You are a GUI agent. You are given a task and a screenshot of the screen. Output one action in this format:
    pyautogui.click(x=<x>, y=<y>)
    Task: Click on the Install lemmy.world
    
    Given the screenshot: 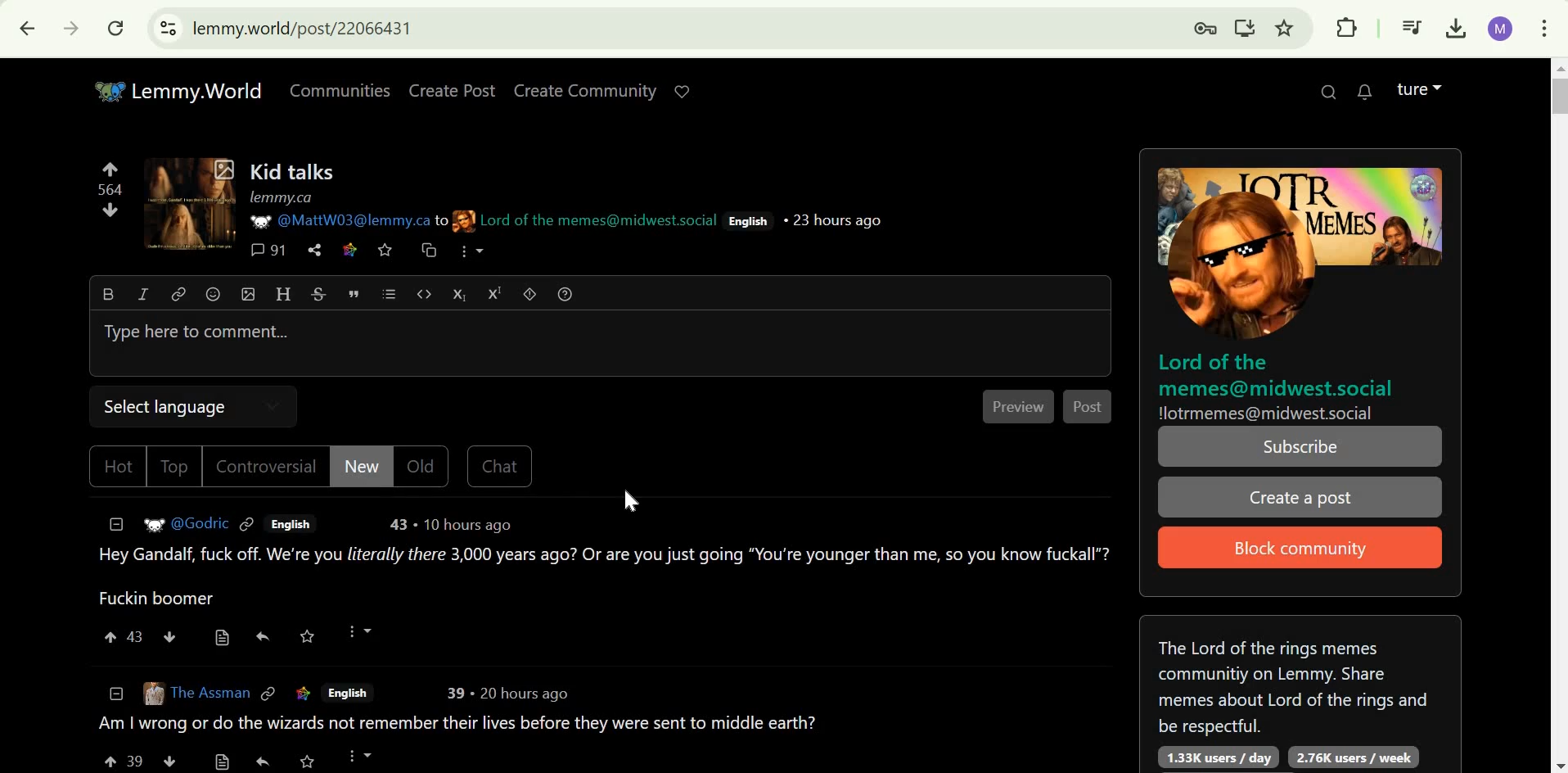 What is the action you would take?
    pyautogui.click(x=1243, y=29)
    